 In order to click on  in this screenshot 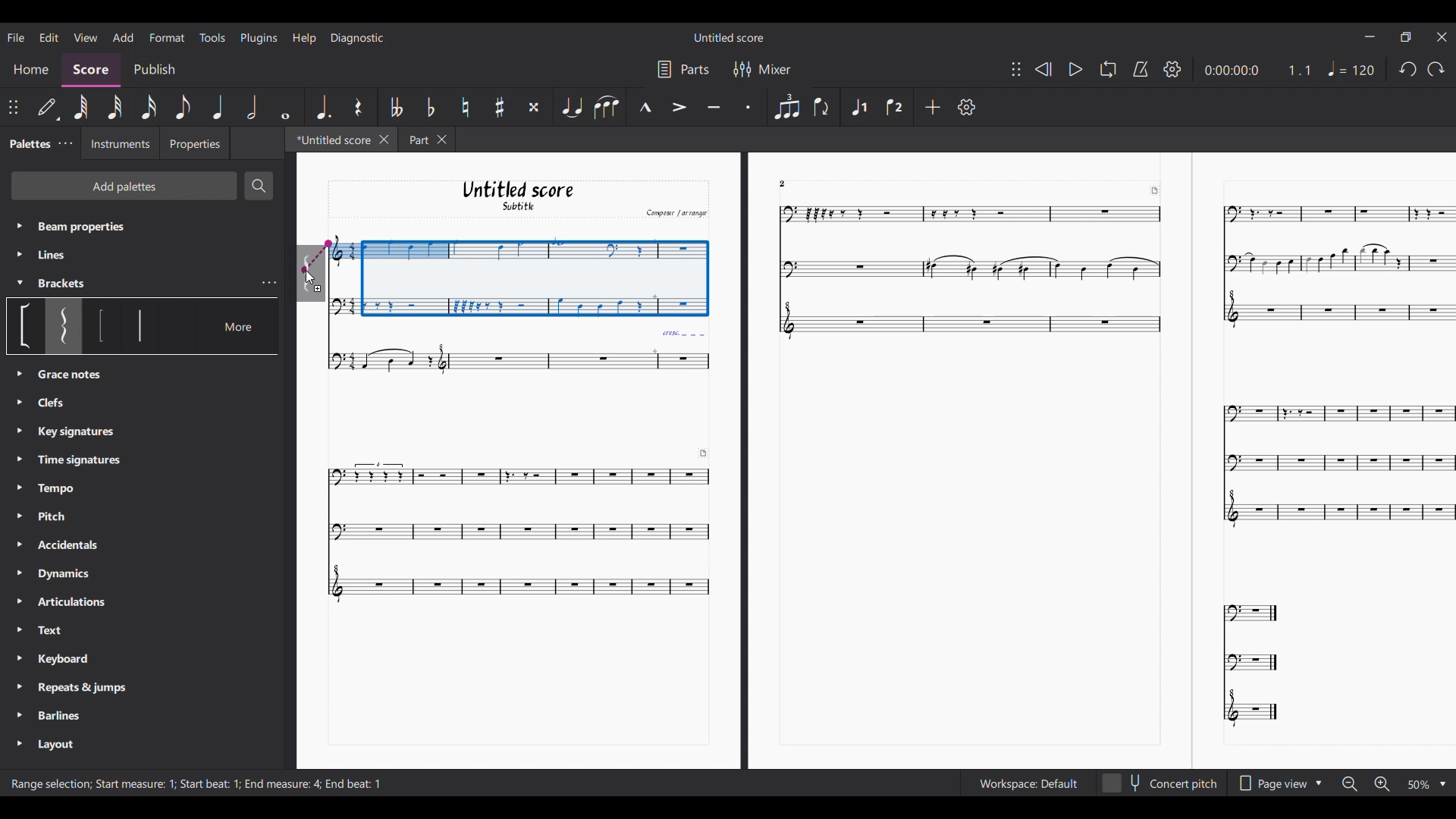, I will do `click(23, 687)`.